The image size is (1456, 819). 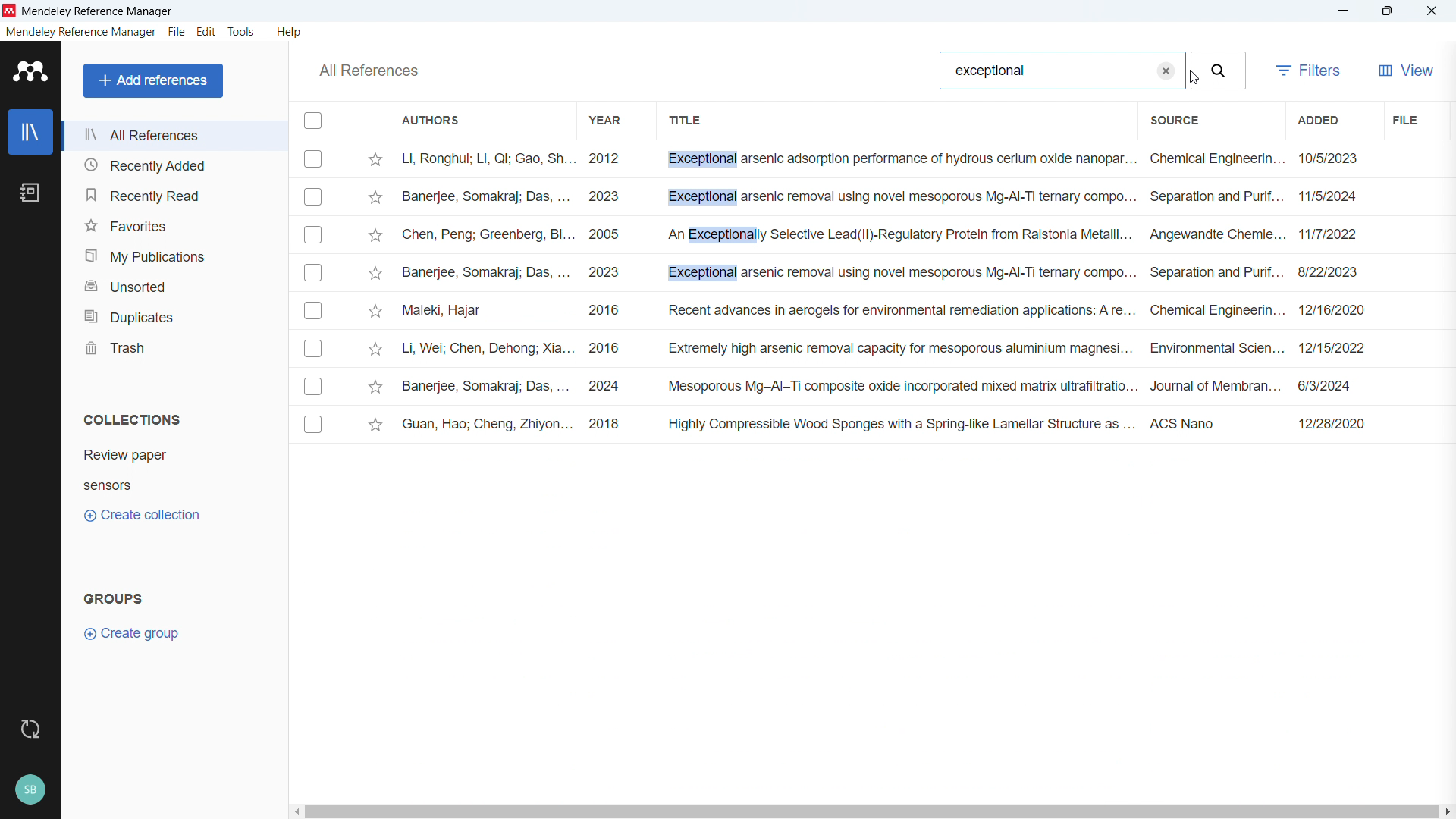 I want to click on logo, so click(x=30, y=71).